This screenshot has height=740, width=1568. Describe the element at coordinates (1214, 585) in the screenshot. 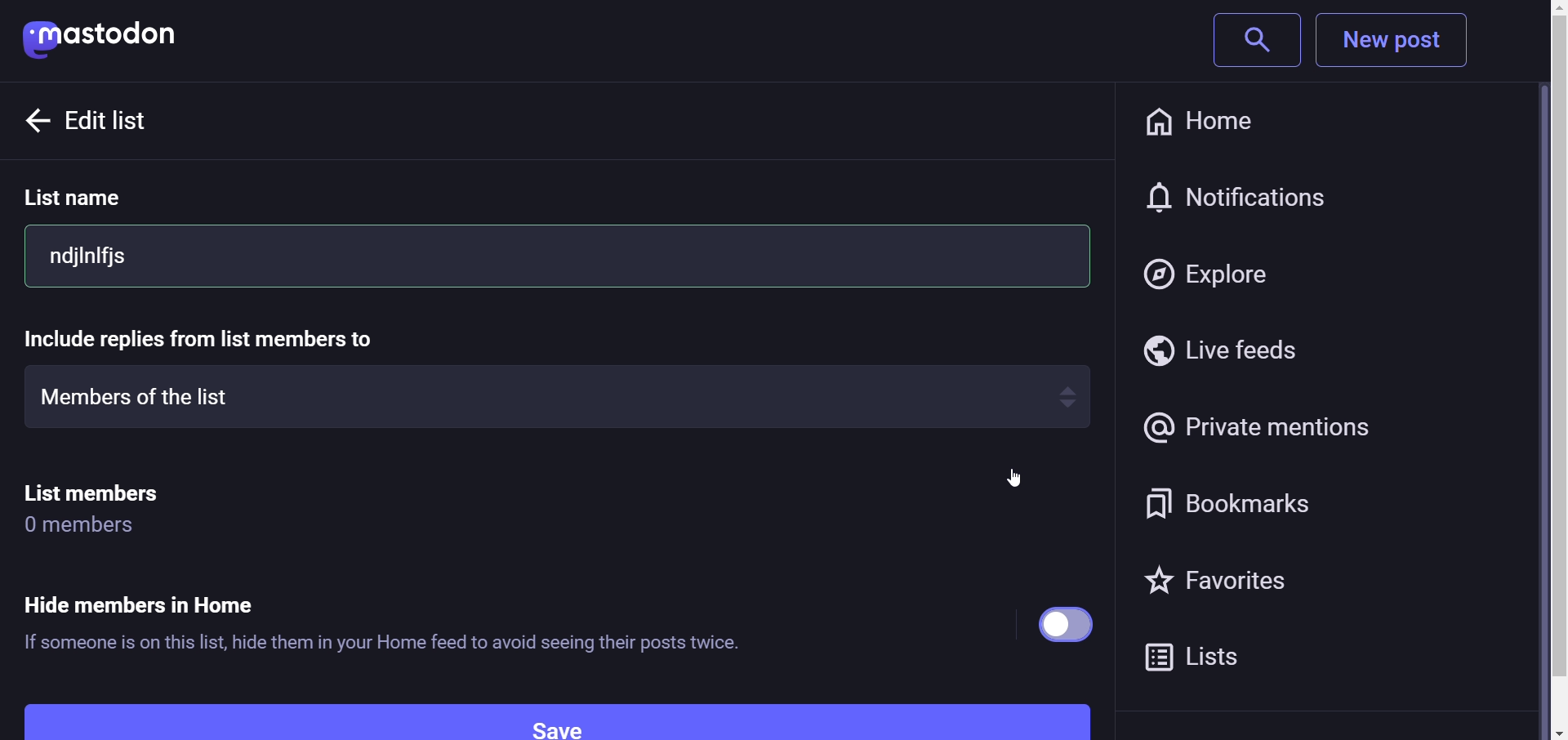

I see `favorites` at that location.